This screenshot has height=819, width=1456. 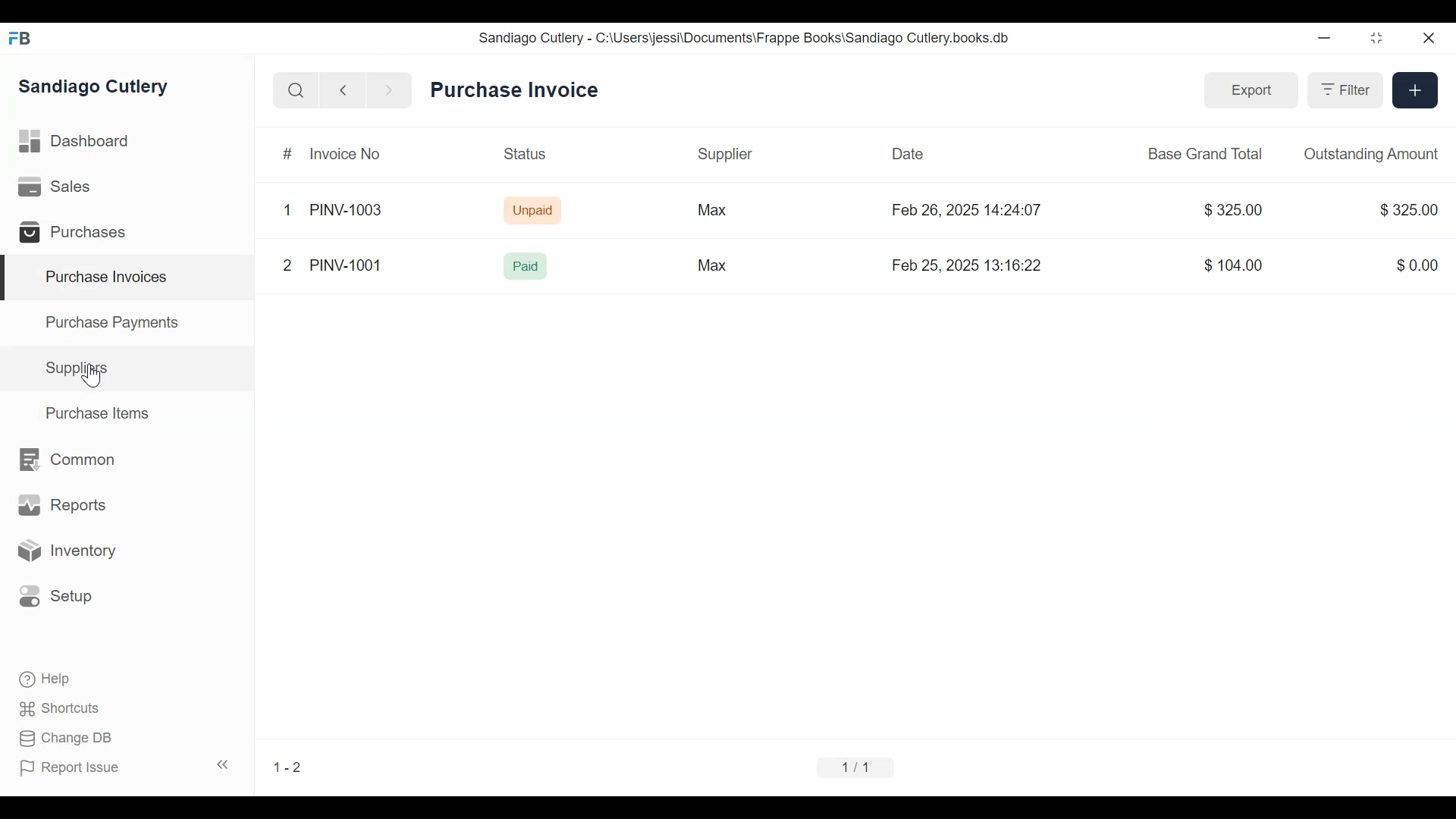 I want to click on 1-2, so click(x=290, y=755).